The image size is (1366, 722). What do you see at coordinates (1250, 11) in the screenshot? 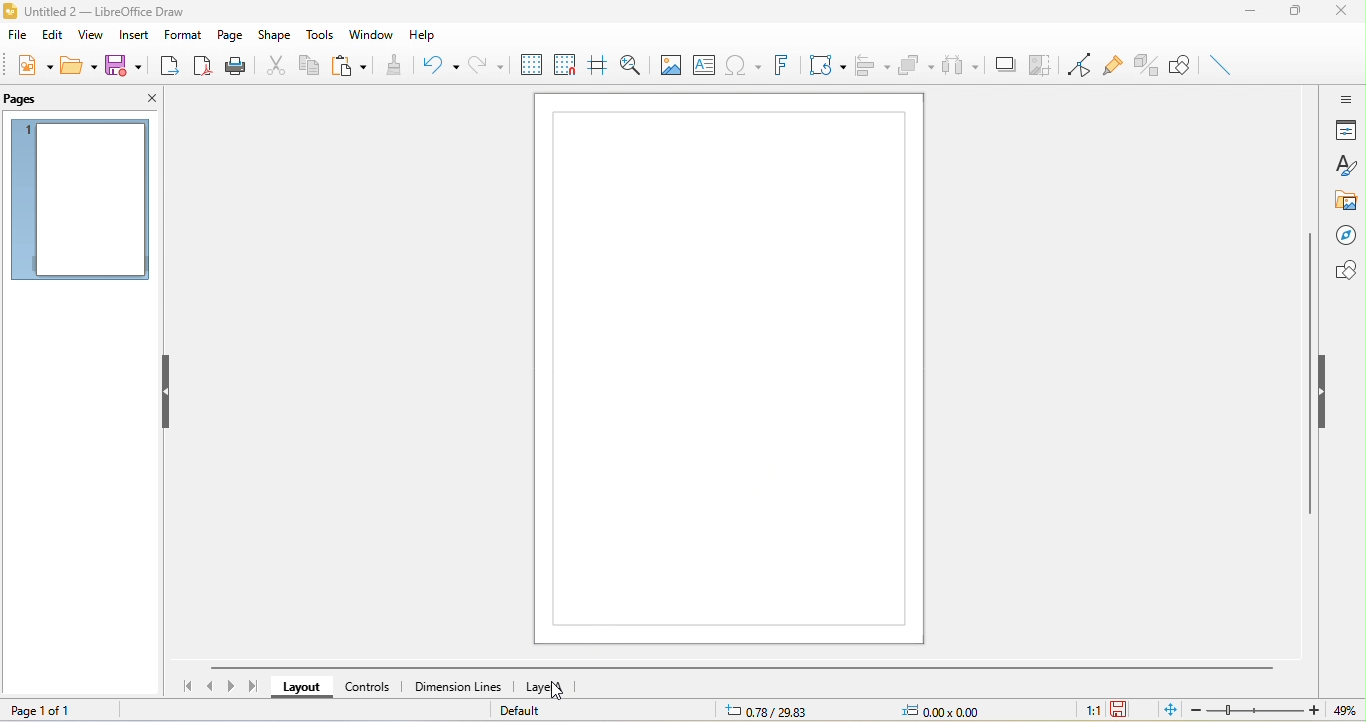
I see `minimize` at bounding box center [1250, 11].